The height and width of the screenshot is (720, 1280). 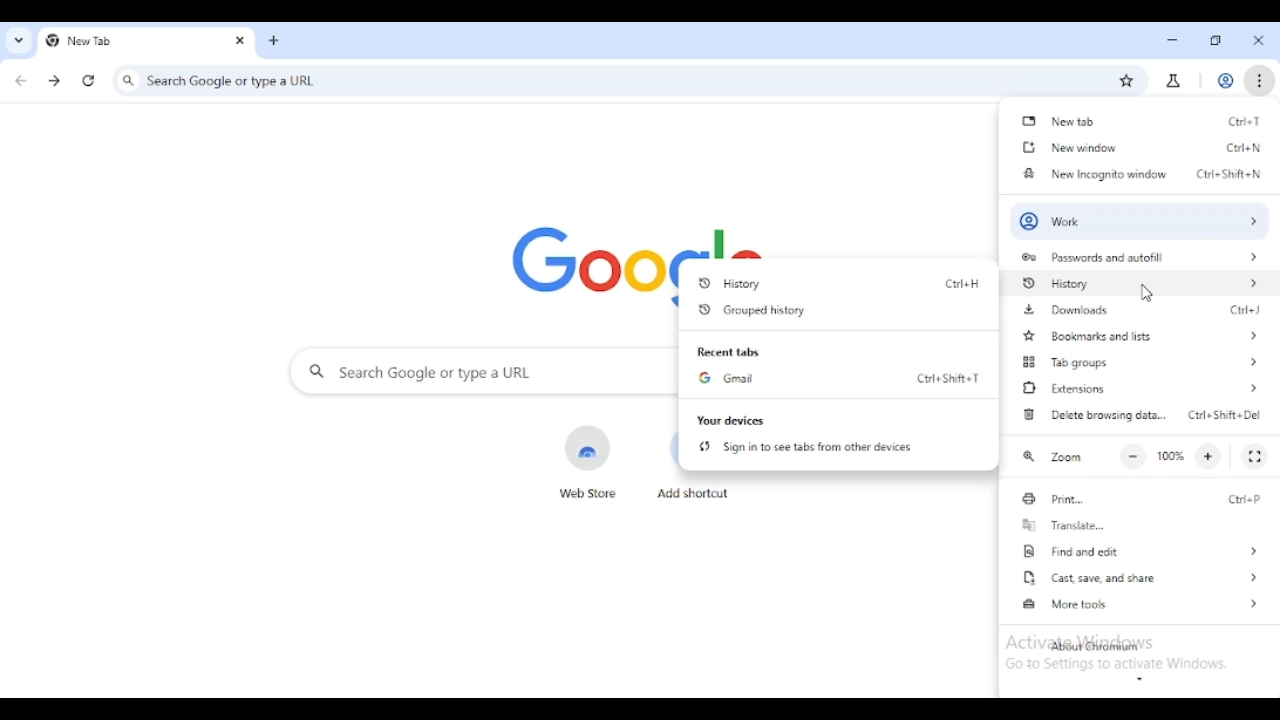 I want to click on passwords and autofill, so click(x=1133, y=257).